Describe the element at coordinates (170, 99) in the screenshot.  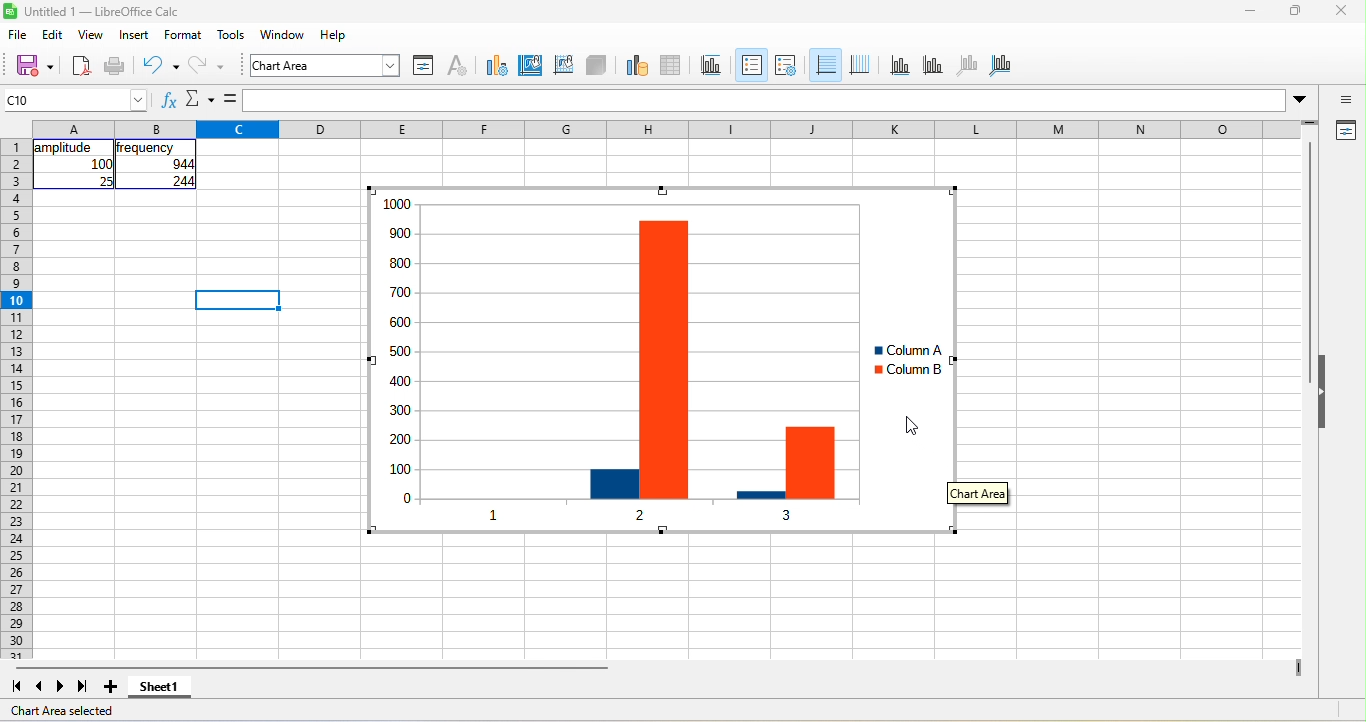
I see `fx` at that location.